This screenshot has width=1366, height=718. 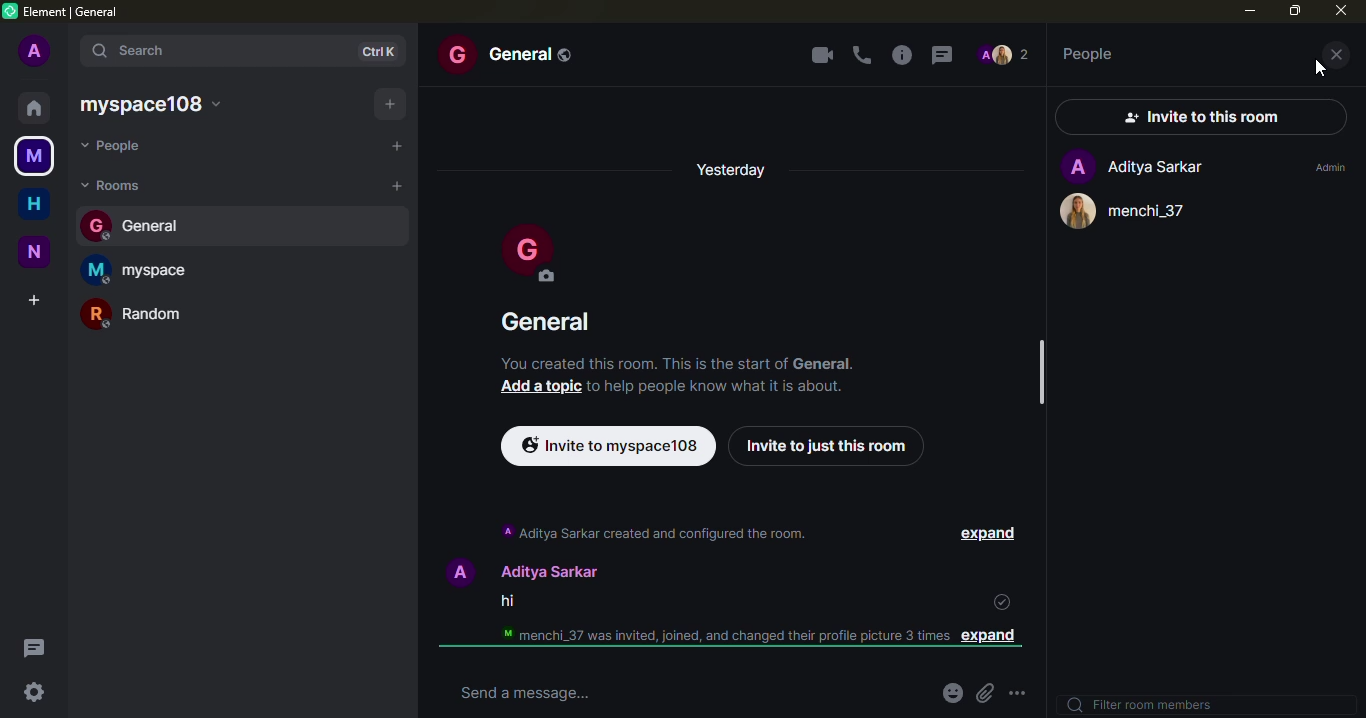 I want to click on myspace108, so click(x=156, y=103).